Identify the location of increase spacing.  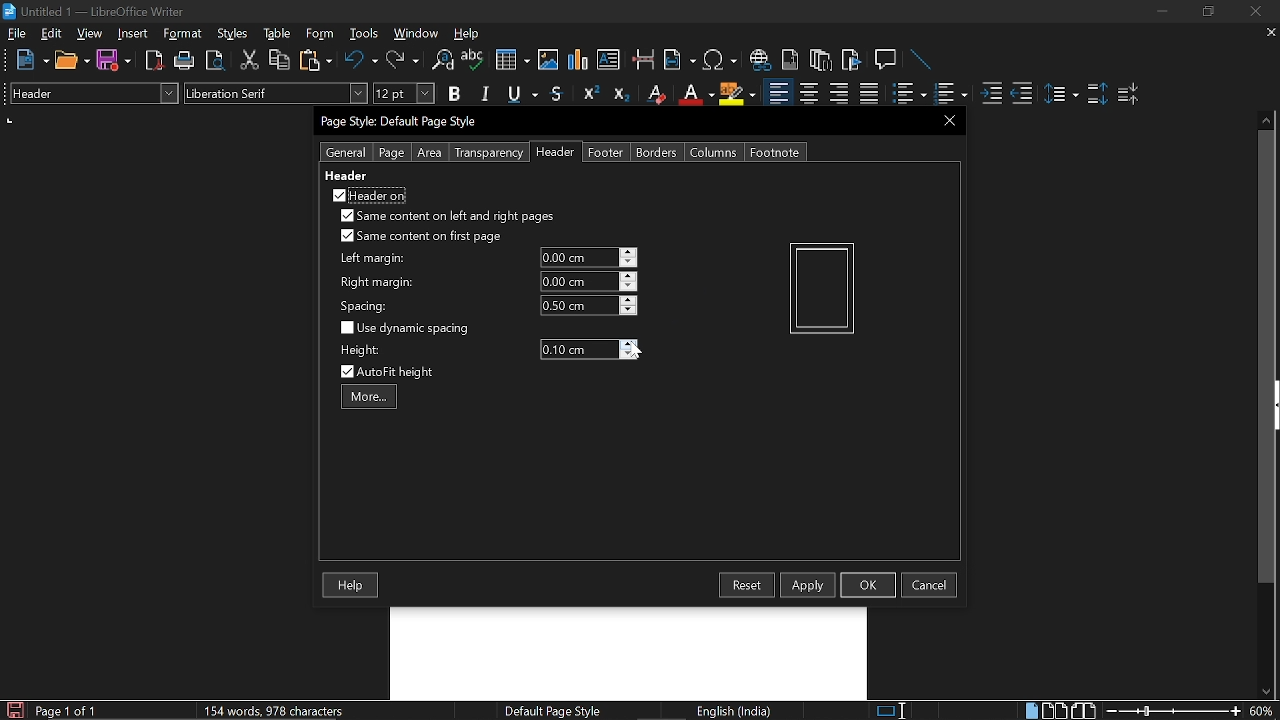
(629, 299).